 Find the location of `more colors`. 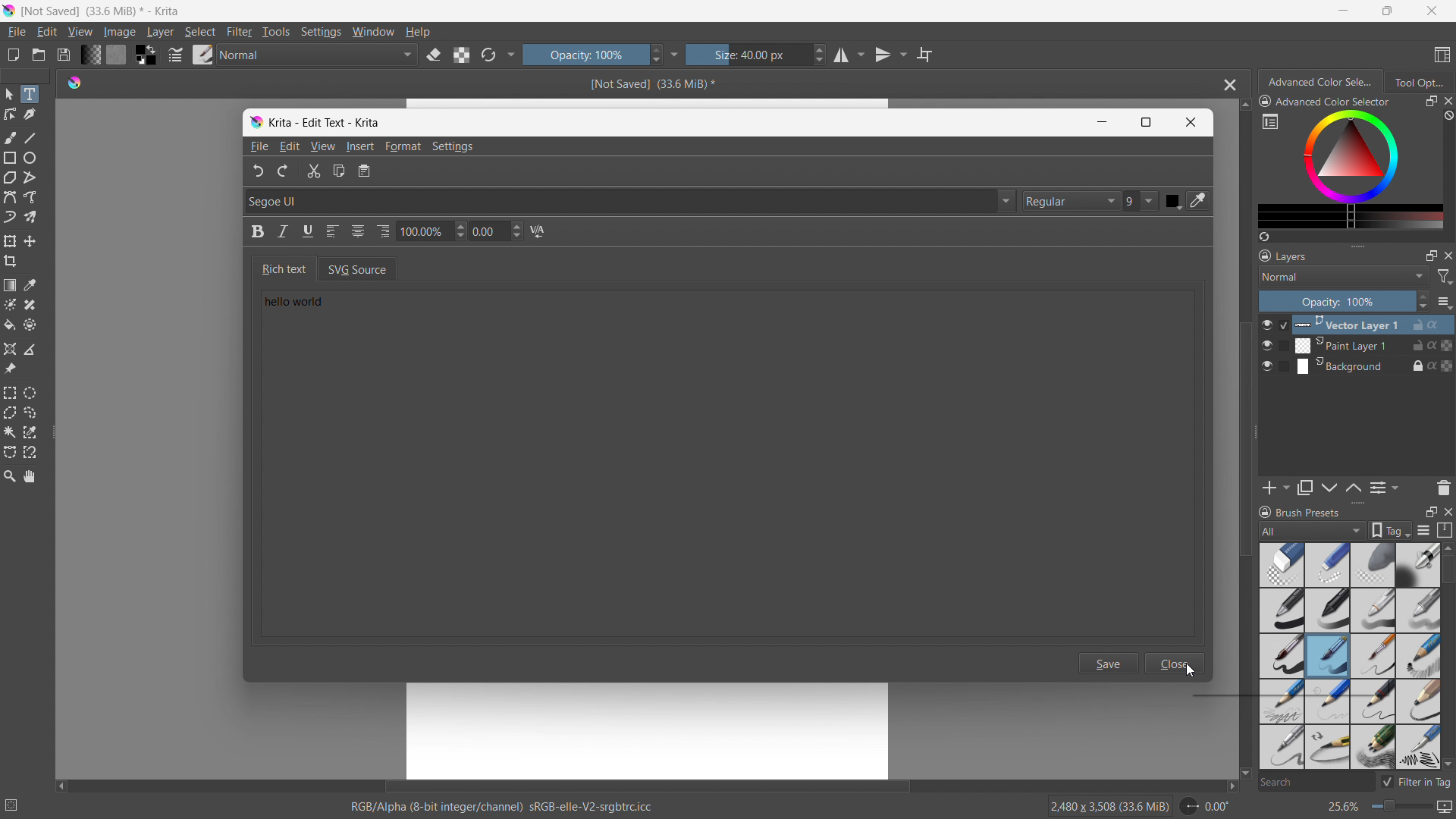

more colors is located at coordinates (1351, 217).